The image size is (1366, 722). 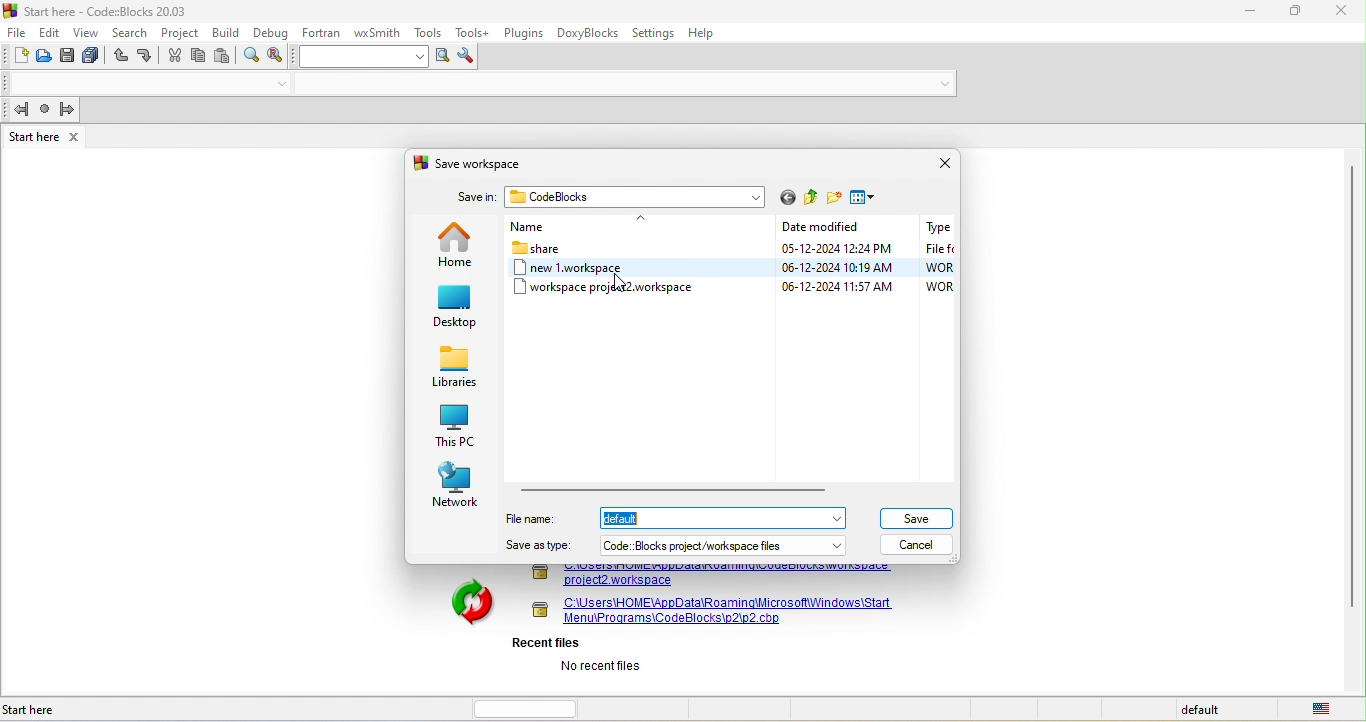 What do you see at coordinates (364, 56) in the screenshot?
I see `text to search` at bounding box center [364, 56].